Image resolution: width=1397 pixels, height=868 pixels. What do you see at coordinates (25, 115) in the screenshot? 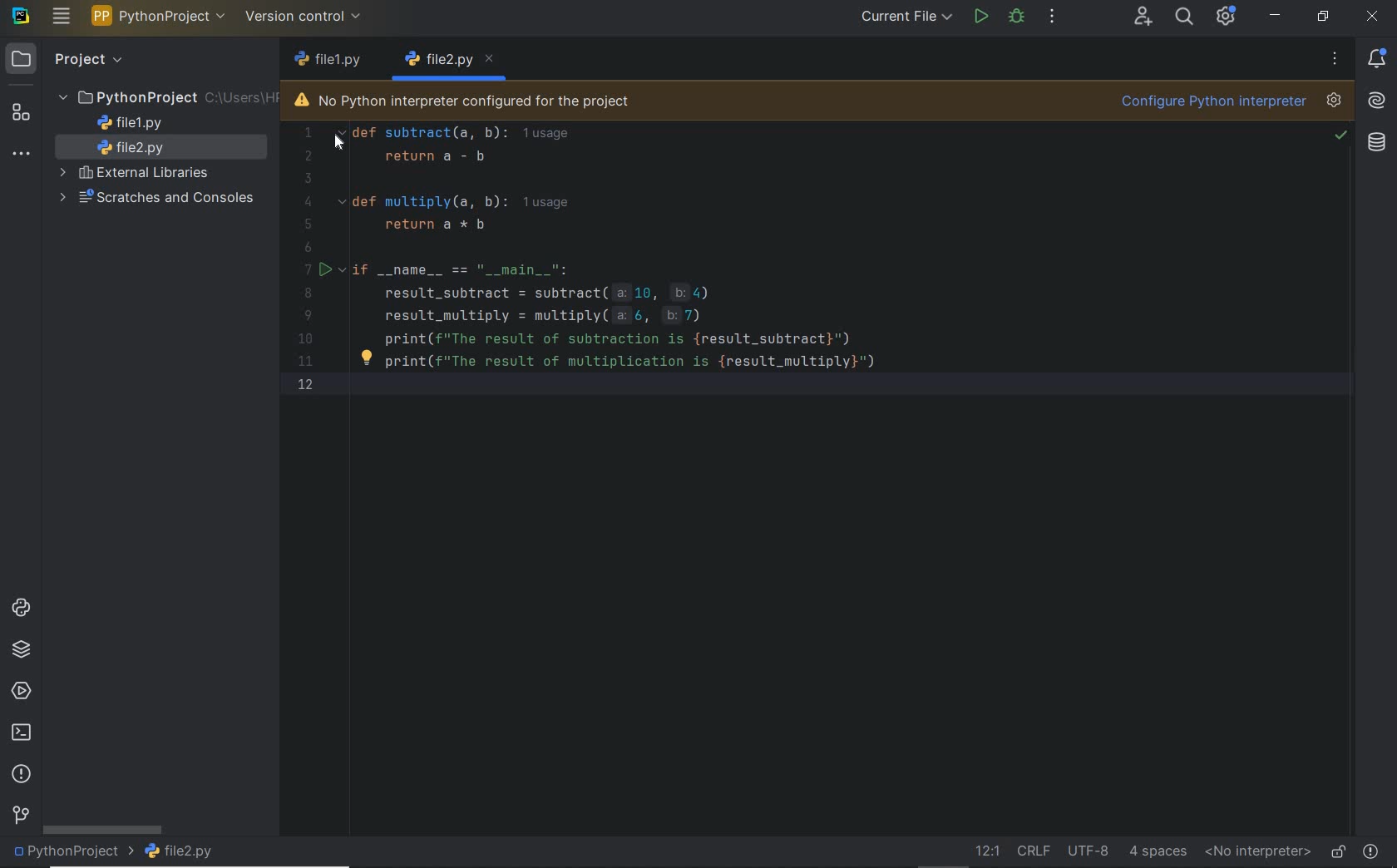
I see `structure` at bounding box center [25, 115].